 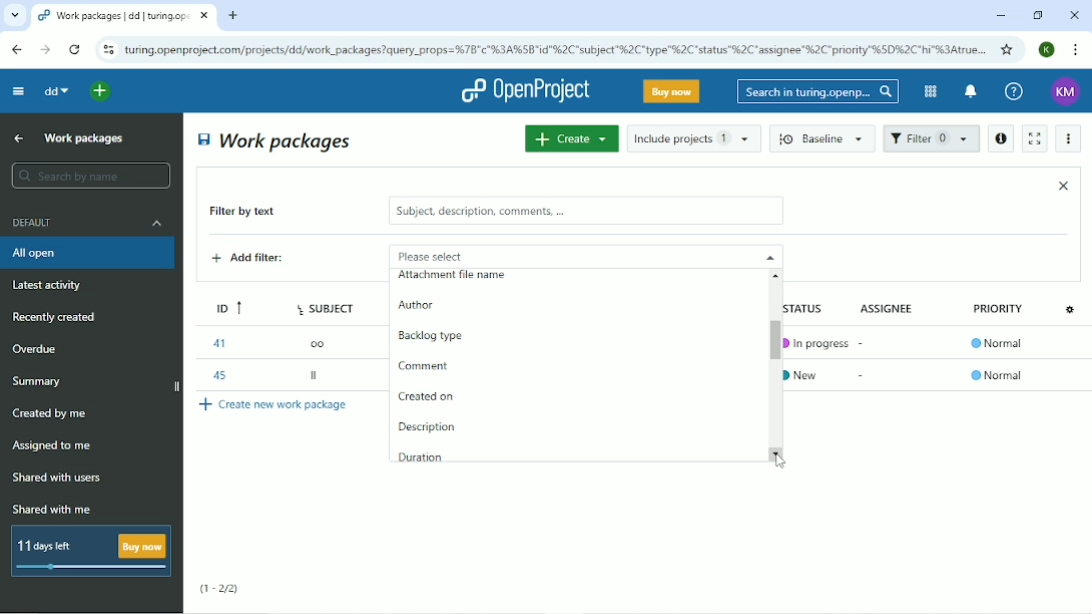 What do you see at coordinates (1063, 185) in the screenshot?
I see `Close` at bounding box center [1063, 185].